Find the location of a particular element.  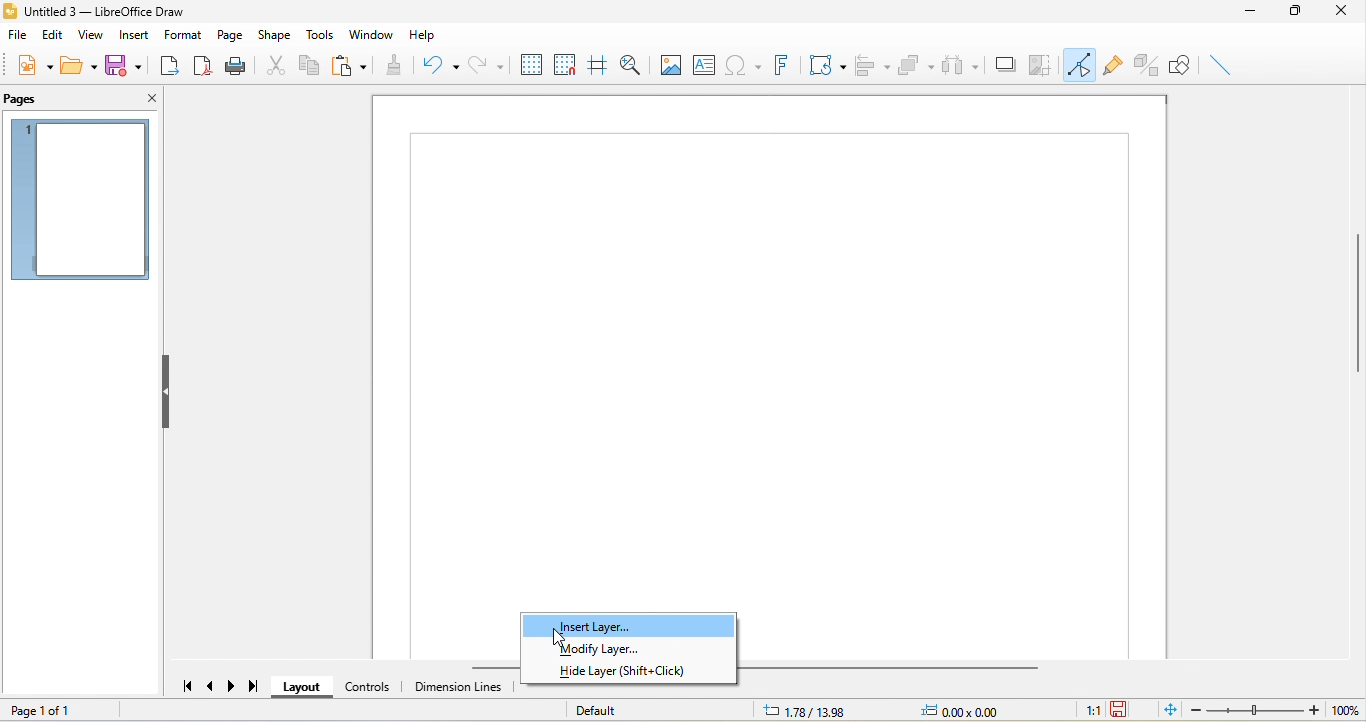

copy is located at coordinates (310, 65).